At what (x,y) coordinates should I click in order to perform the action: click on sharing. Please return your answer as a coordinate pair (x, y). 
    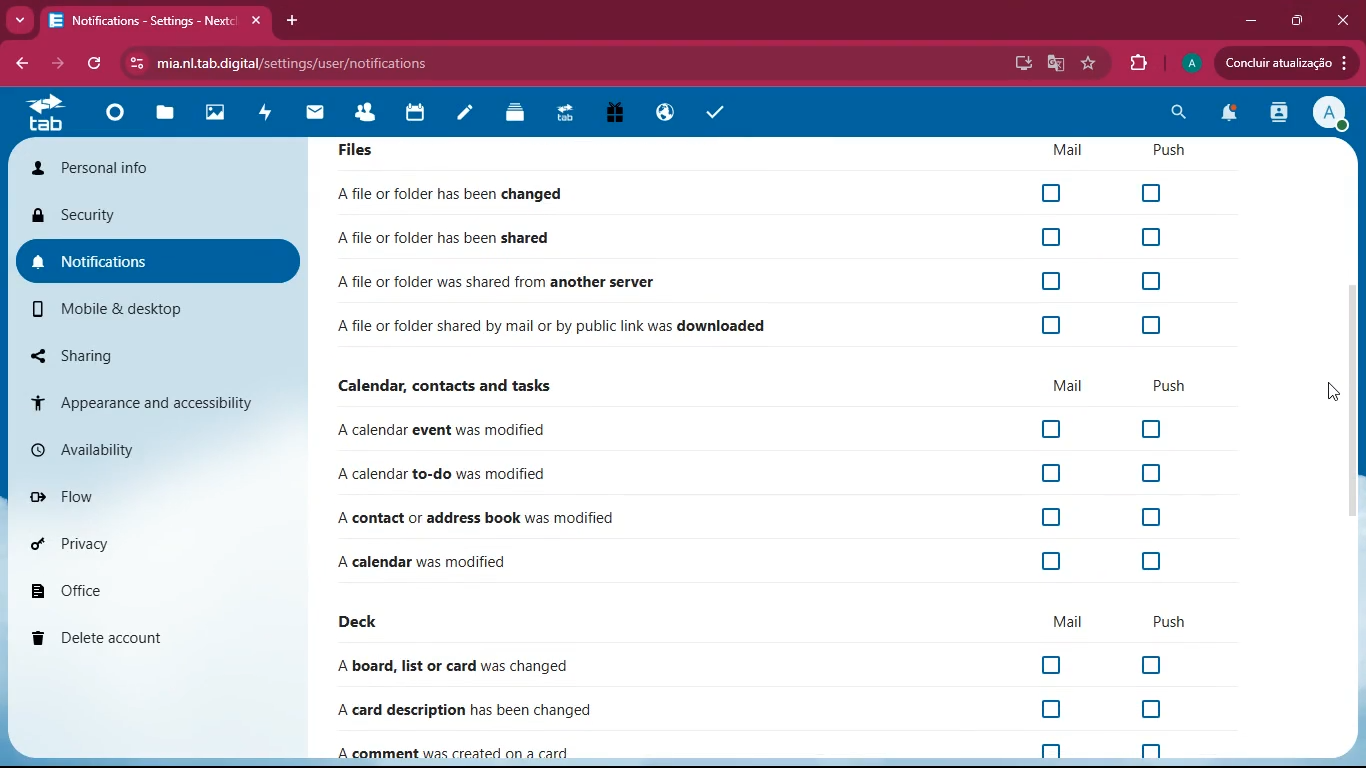
    Looking at the image, I should click on (119, 353).